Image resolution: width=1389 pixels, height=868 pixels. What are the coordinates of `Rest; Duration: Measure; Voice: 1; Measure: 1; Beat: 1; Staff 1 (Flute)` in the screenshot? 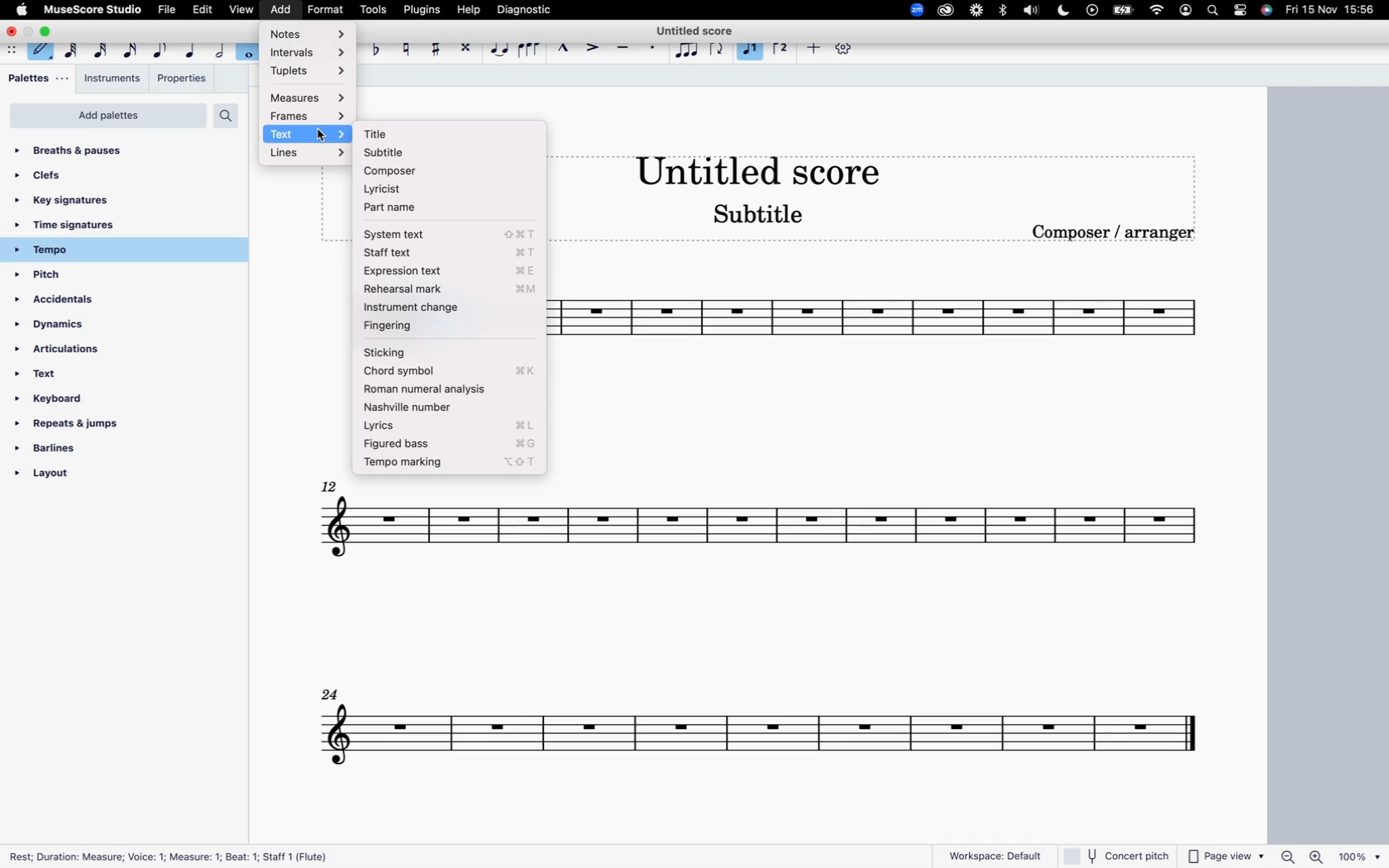 It's located at (173, 853).